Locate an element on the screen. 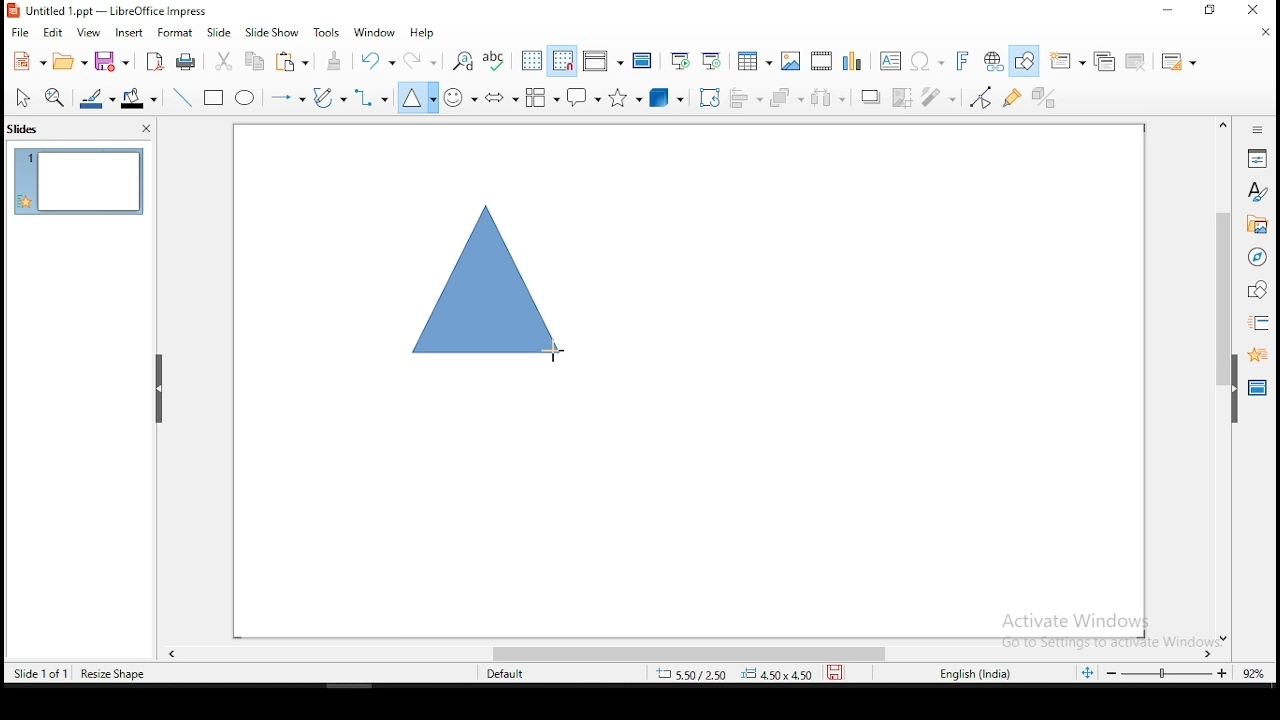 The width and height of the screenshot is (1280, 720). format is located at coordinates (175, 31).